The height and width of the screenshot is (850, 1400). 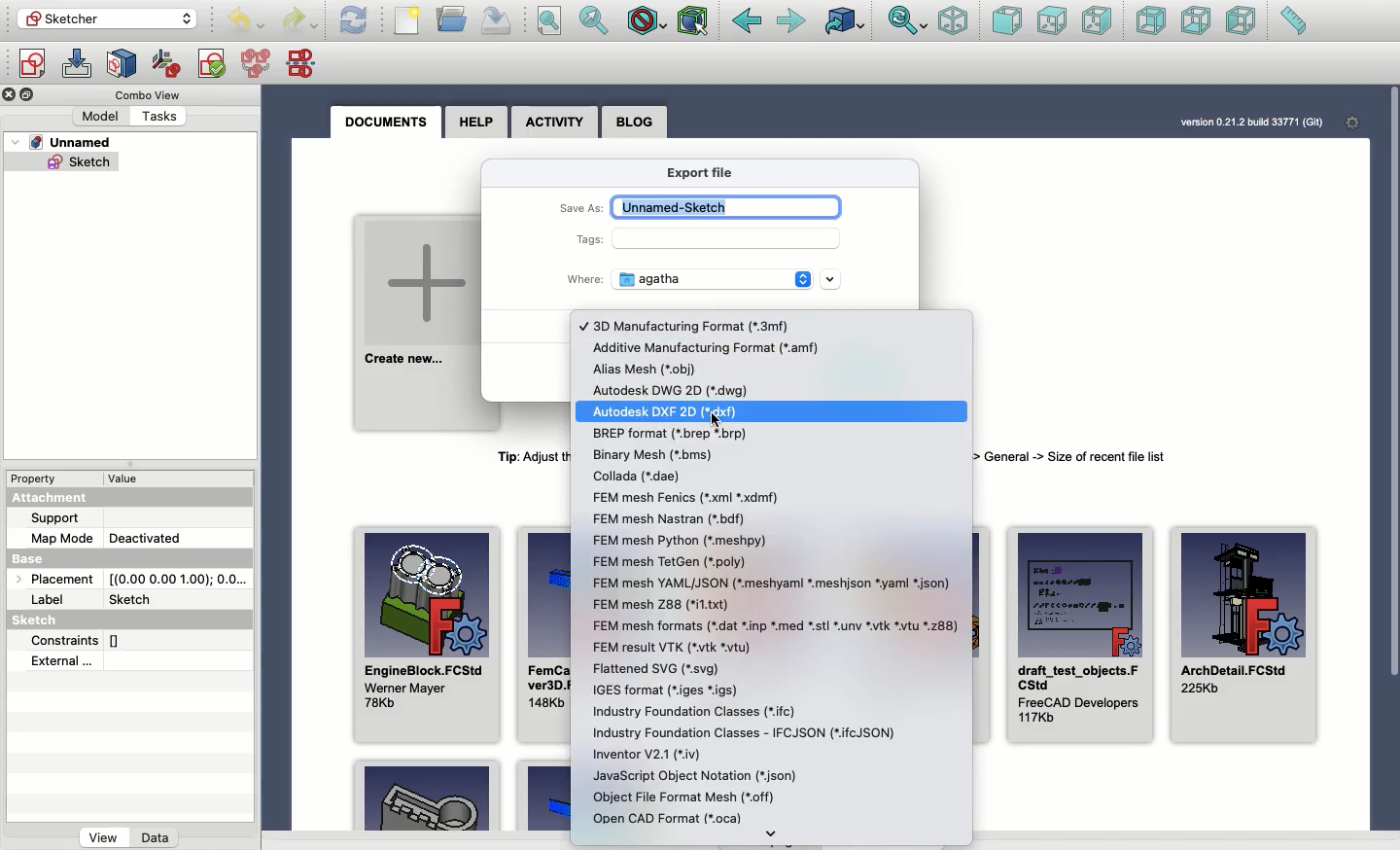 I want to click on FEM mesh, so click(x=660, y=606).